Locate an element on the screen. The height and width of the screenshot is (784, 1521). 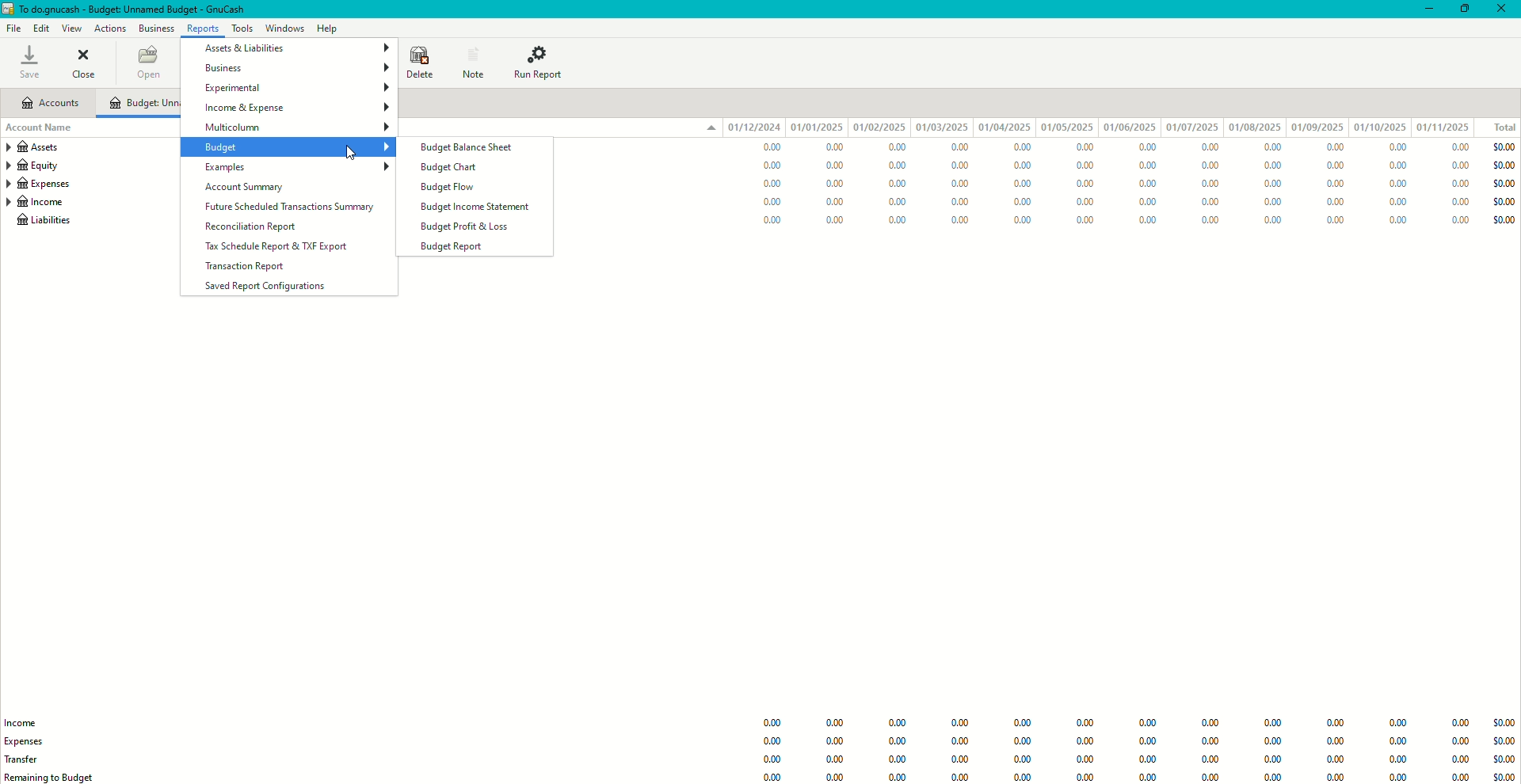
Help is located at coordinates (328, 28).